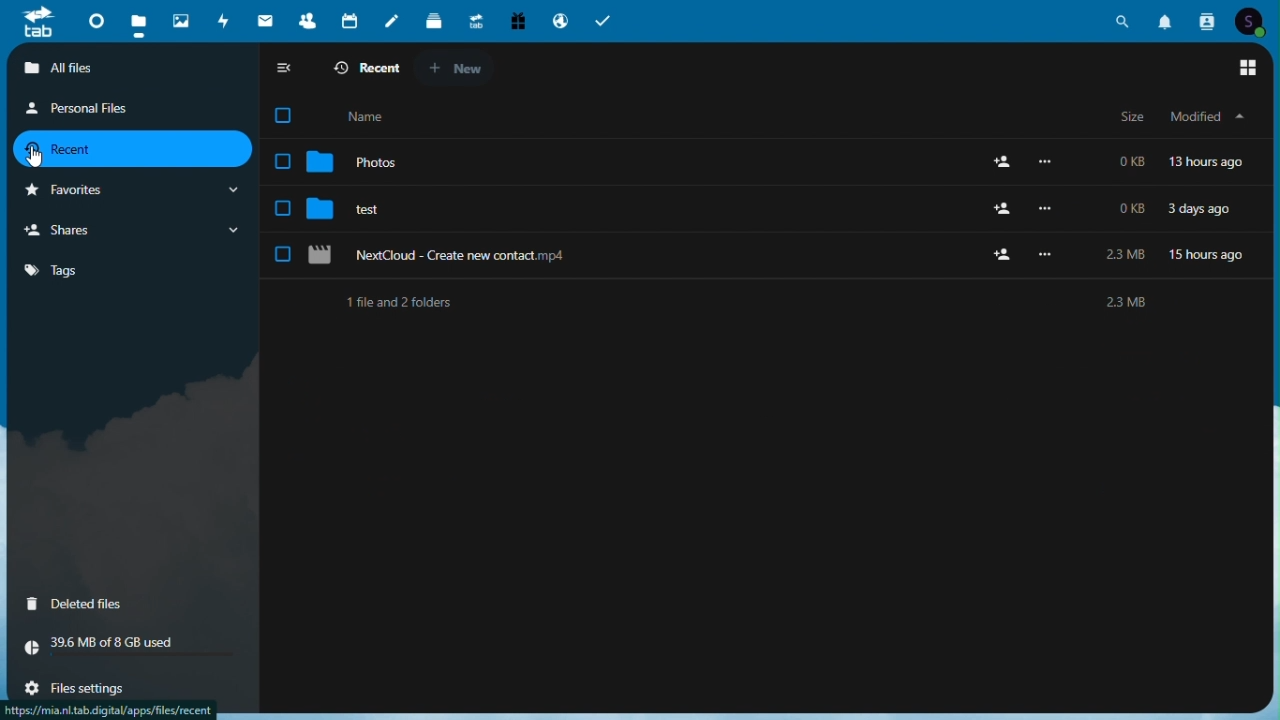 This screenshot has height=720, width=1280. What do you see at coordinates (95, 687) in the screenshot?
I see `file settings` at bounding box center [95, 687].